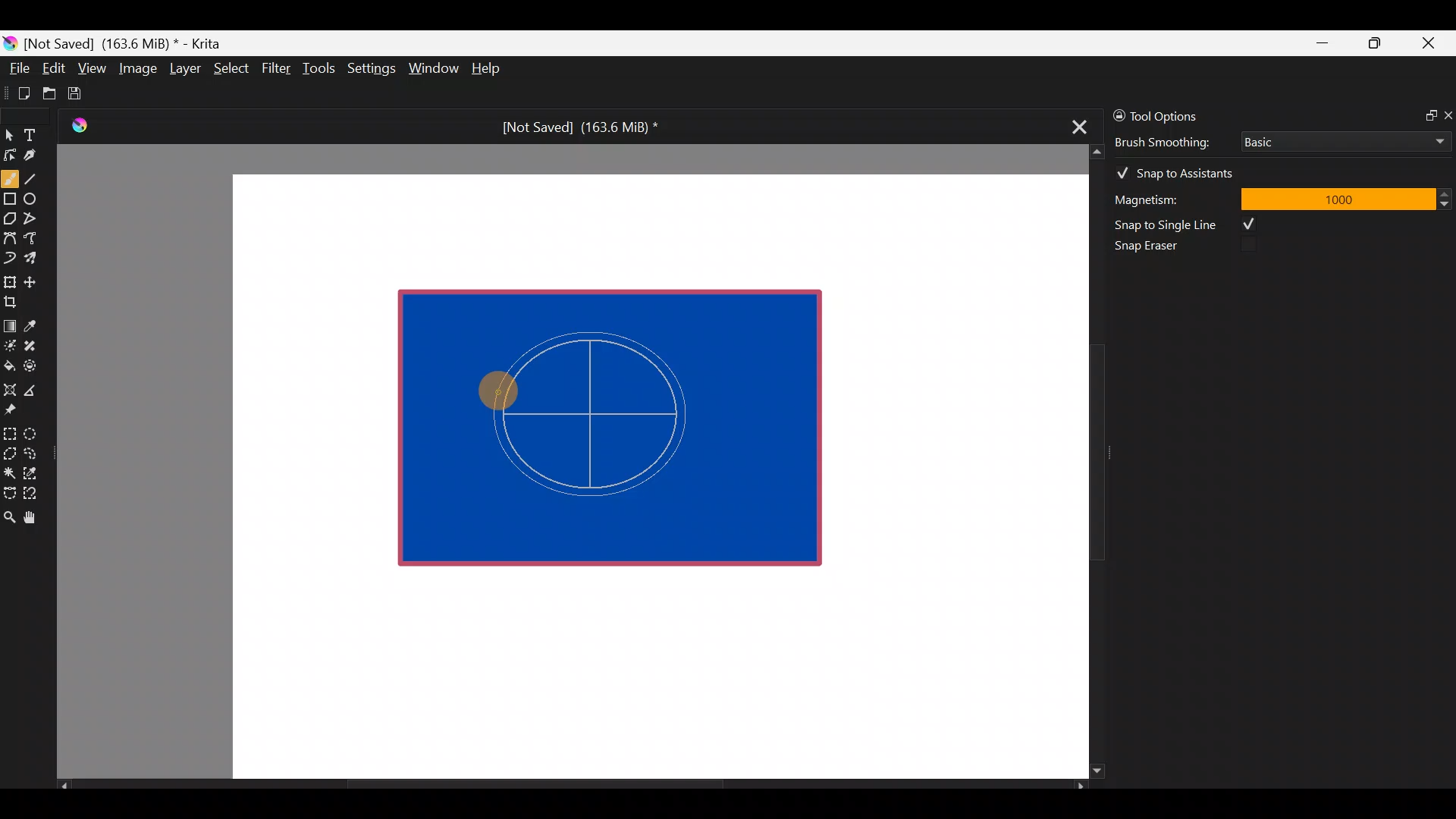 The image size is (1456, 819). What do you see at coordinates (38, 240) in the screenshot?
I see `Freehand path tool` at bounding box center [38, 240].